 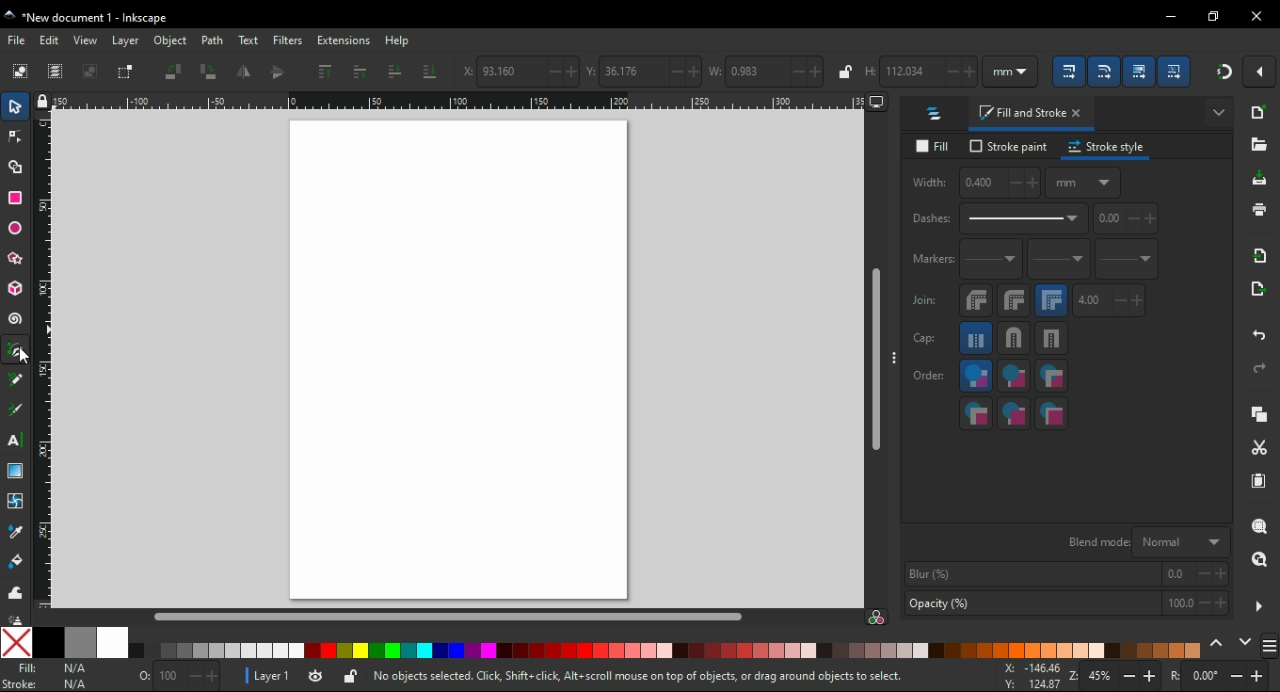 What do you see at coordinates (1139, 73) in the screenshot?
I see `move gradients along with other objects` at bounding box center [1139, 73].